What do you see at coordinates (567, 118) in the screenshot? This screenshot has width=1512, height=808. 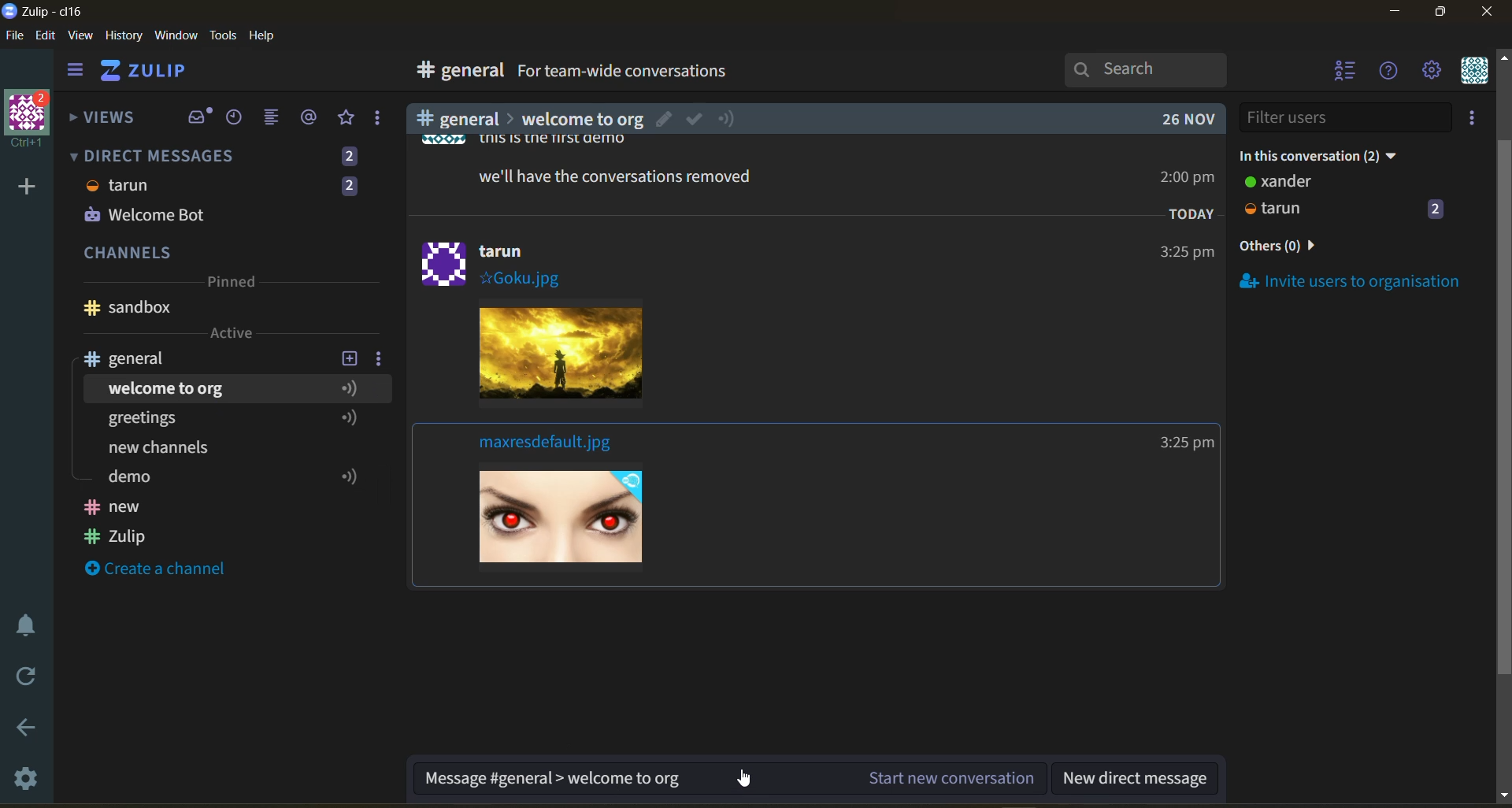 I see `` at bounding box center [567, 118].